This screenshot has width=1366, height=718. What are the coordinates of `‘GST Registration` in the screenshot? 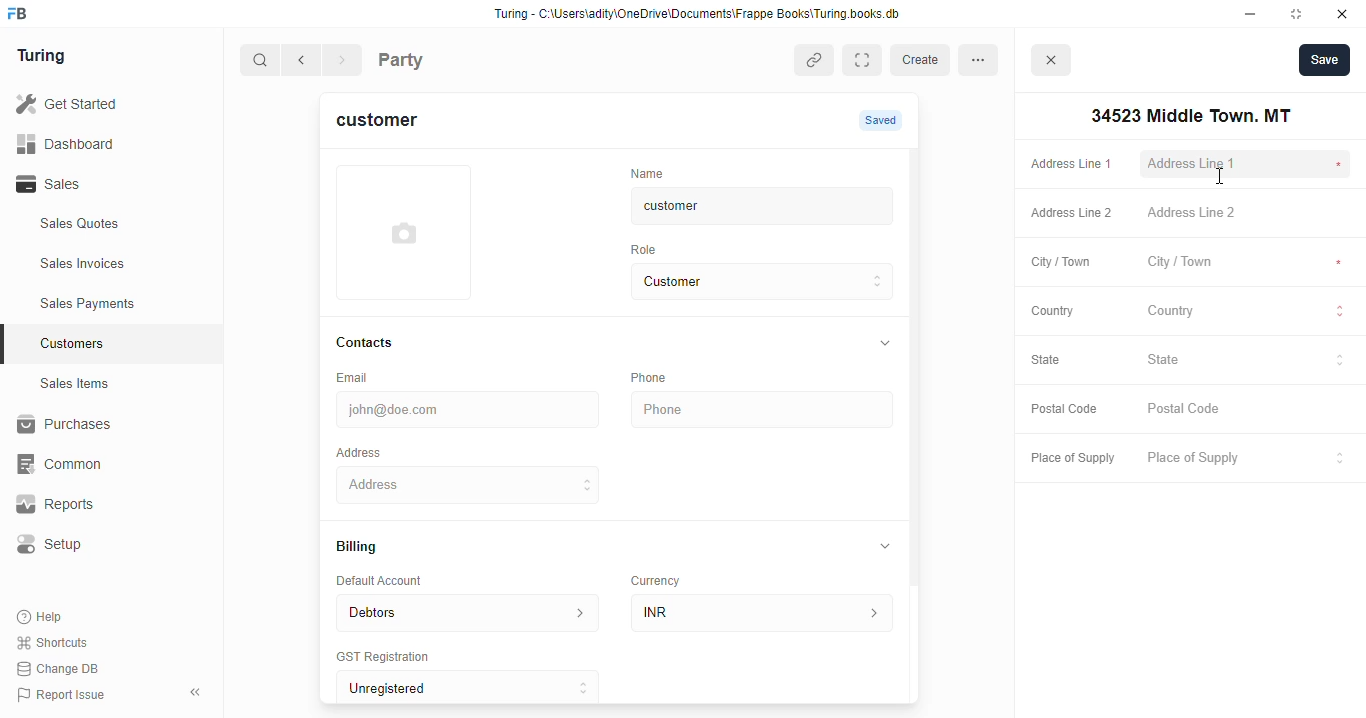 It's located at (390, 658).